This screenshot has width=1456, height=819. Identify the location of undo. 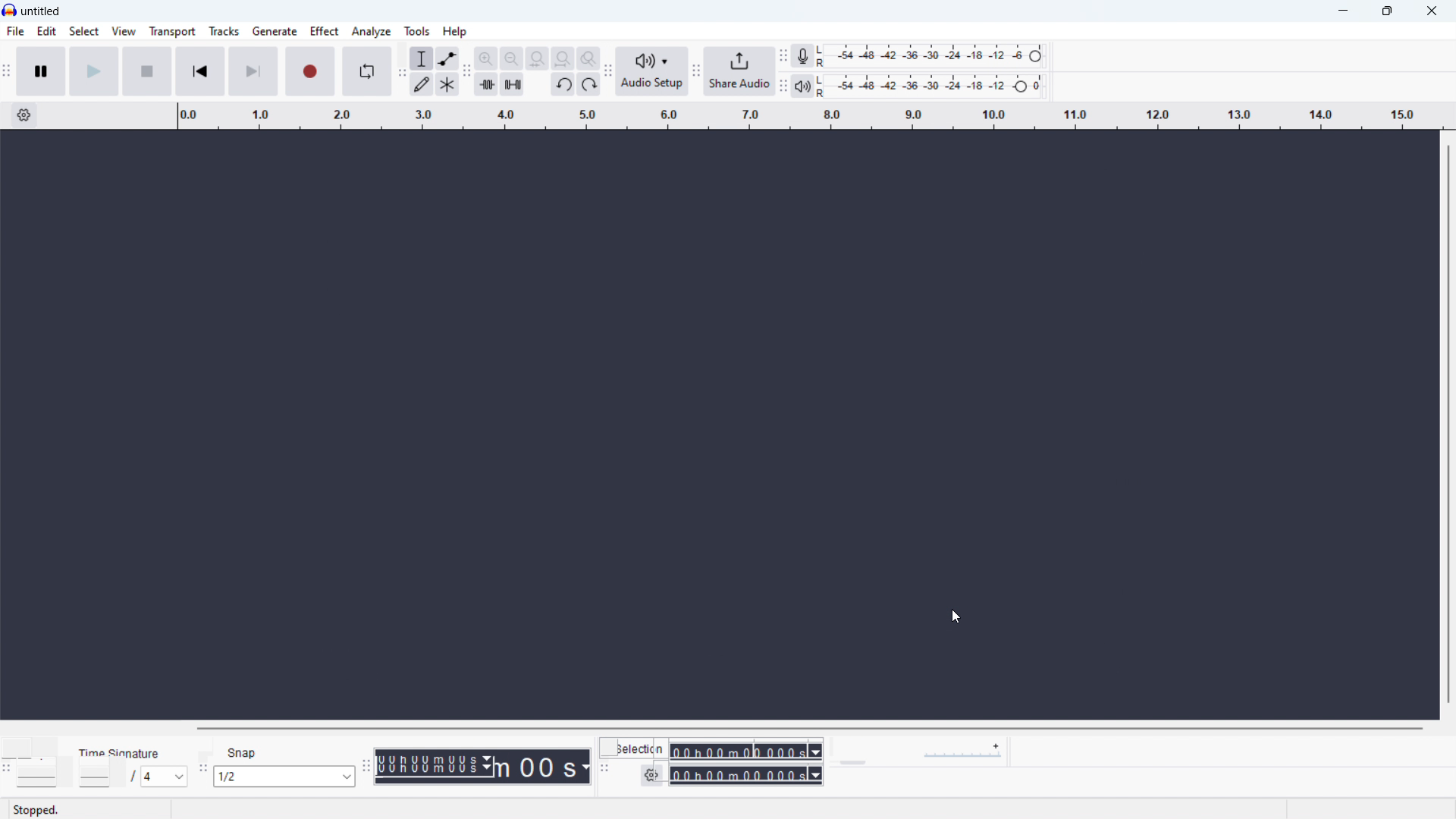
(563, 85).